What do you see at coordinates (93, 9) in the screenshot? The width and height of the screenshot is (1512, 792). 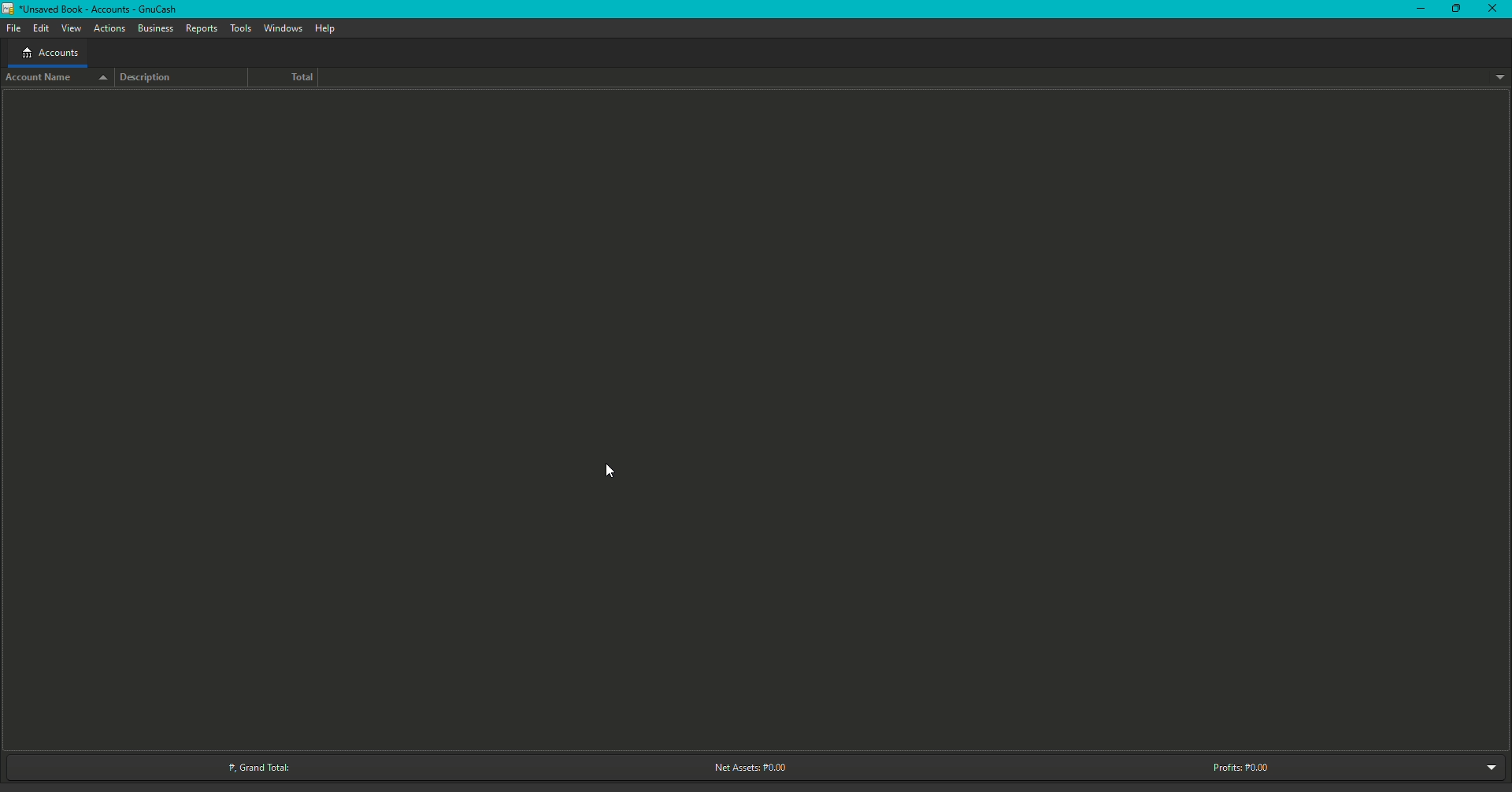 I see `Unsaved book - accounts - GnuCash` at bounding box center [93, 9].